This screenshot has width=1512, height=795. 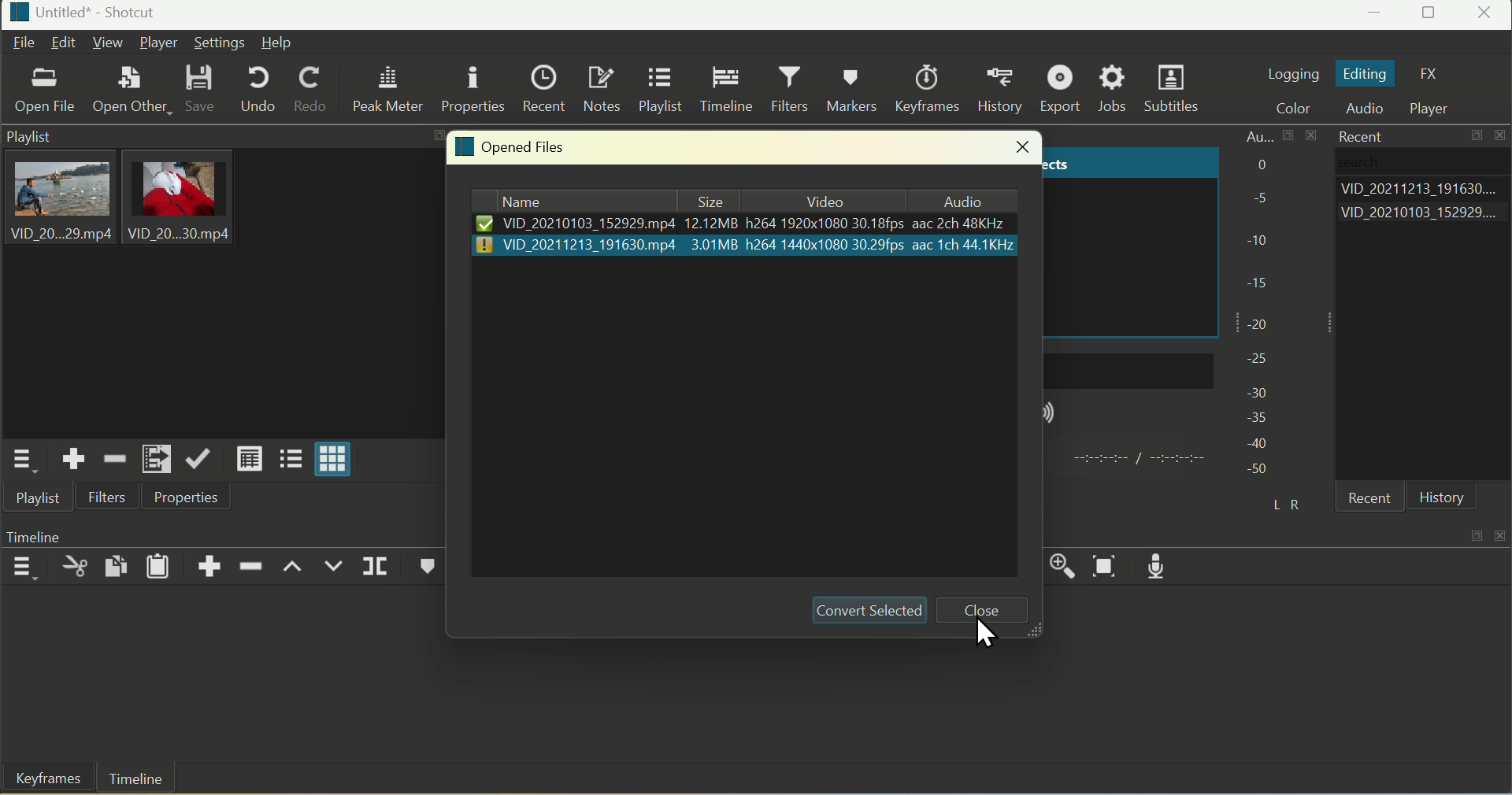 What do you see at coordinates (792, 90) in the screenshot?
I see `Filters` at bounding box center [792, 90].